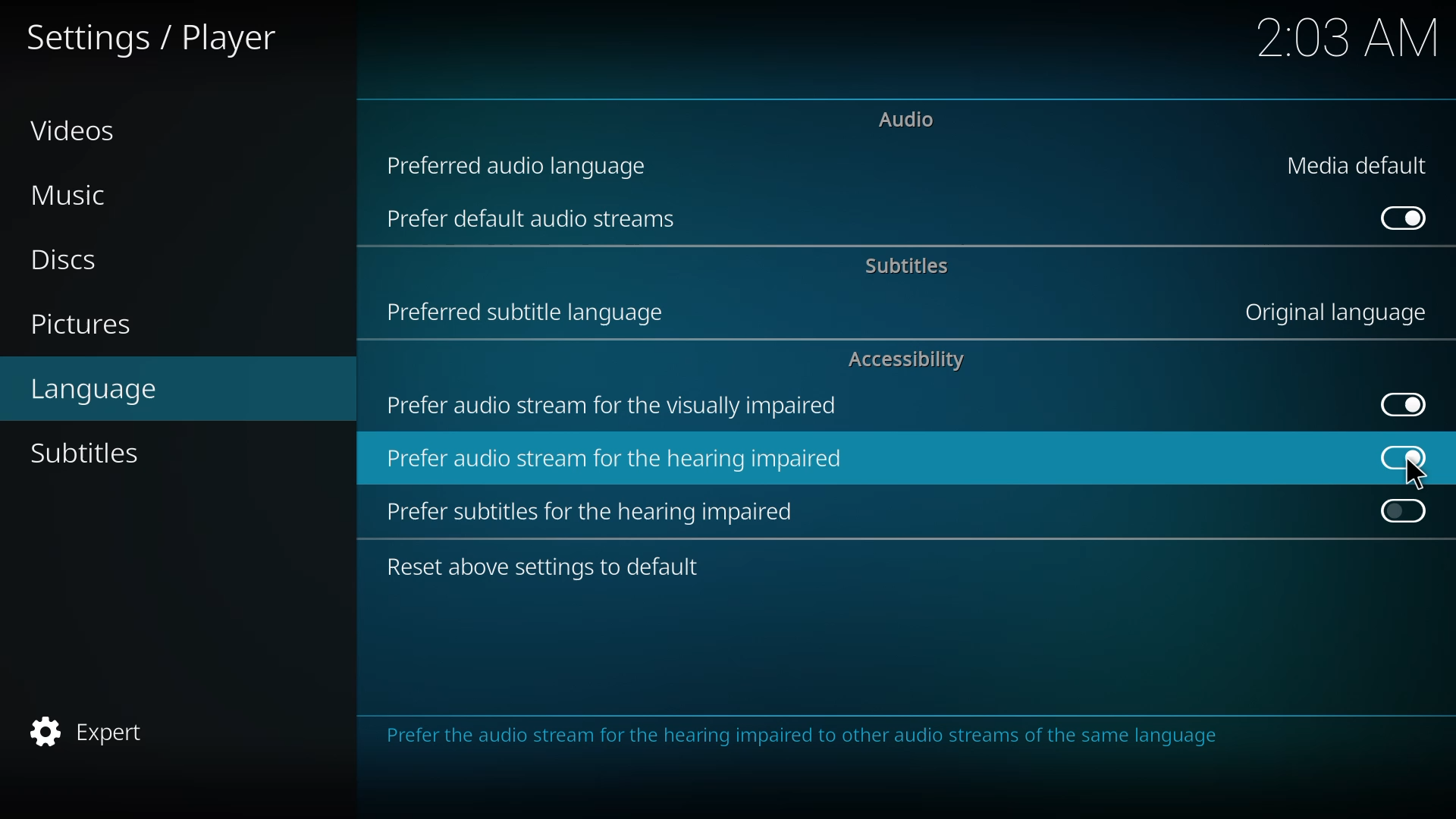 This screenshot has height=819, width=1456. I want to click on , so click(1415, 474).